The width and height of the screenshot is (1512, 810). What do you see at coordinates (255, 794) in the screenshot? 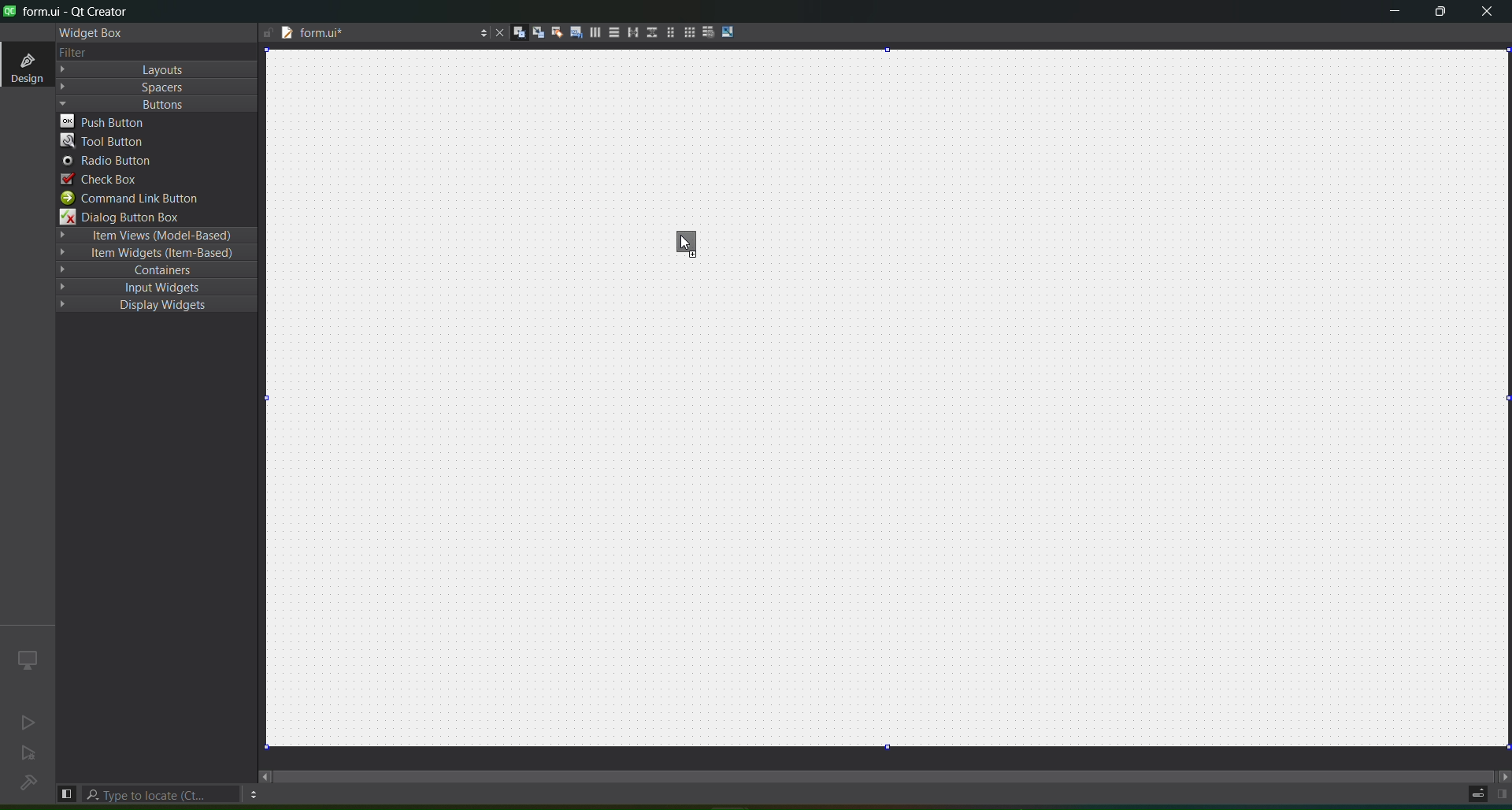
I see `options` at bounding box center [255, 794].